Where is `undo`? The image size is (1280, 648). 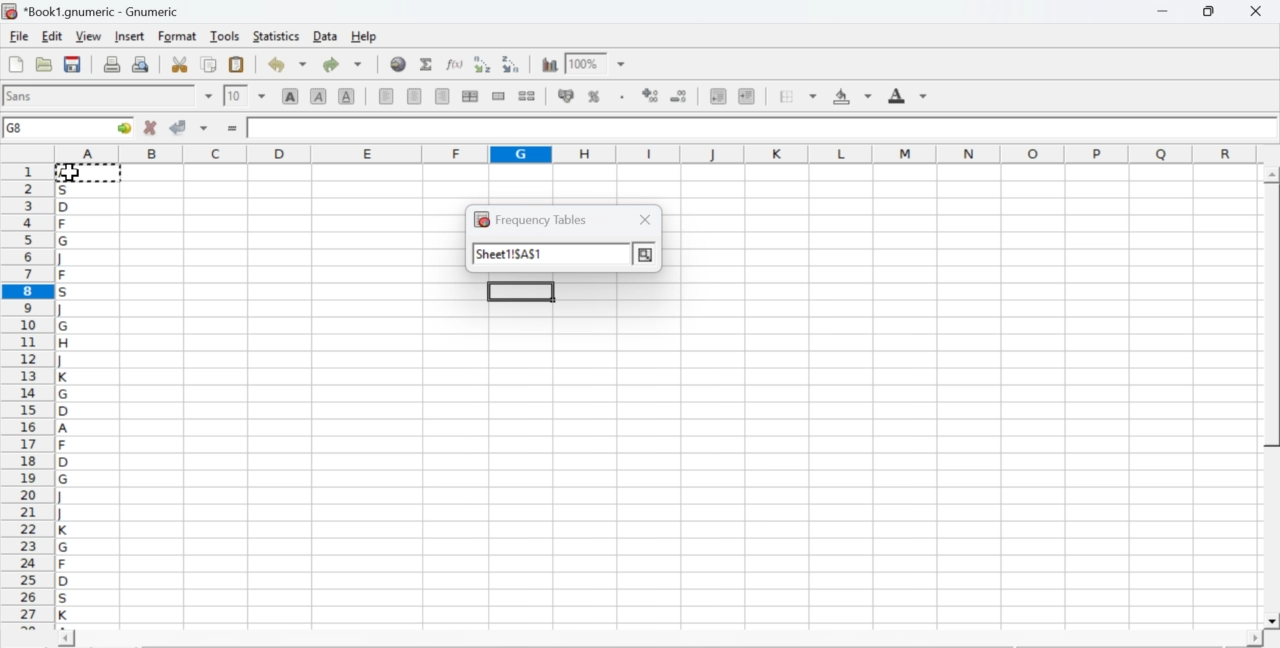 undo is located at coordinates (286, 65).